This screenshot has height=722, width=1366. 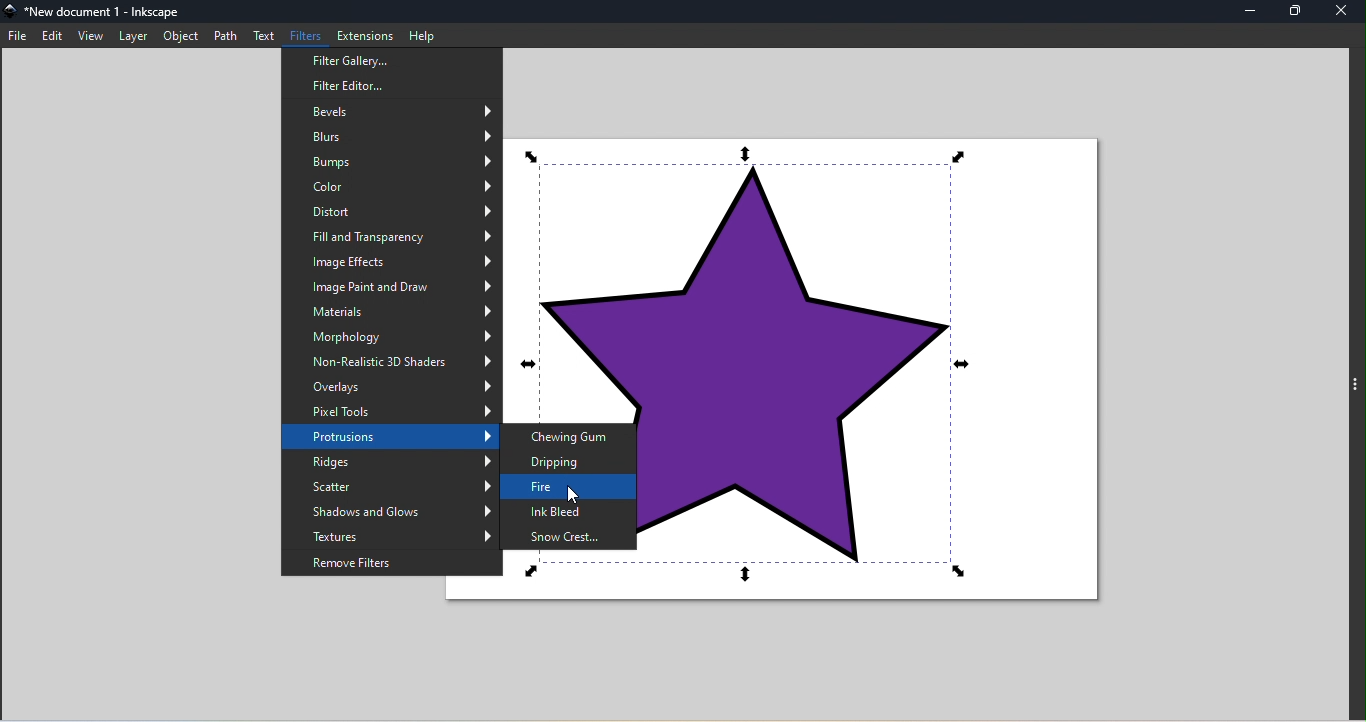 What do you see at coordinates (1344, 11) in the screenshot?
I see `close` at bounding box center [1344, 11].